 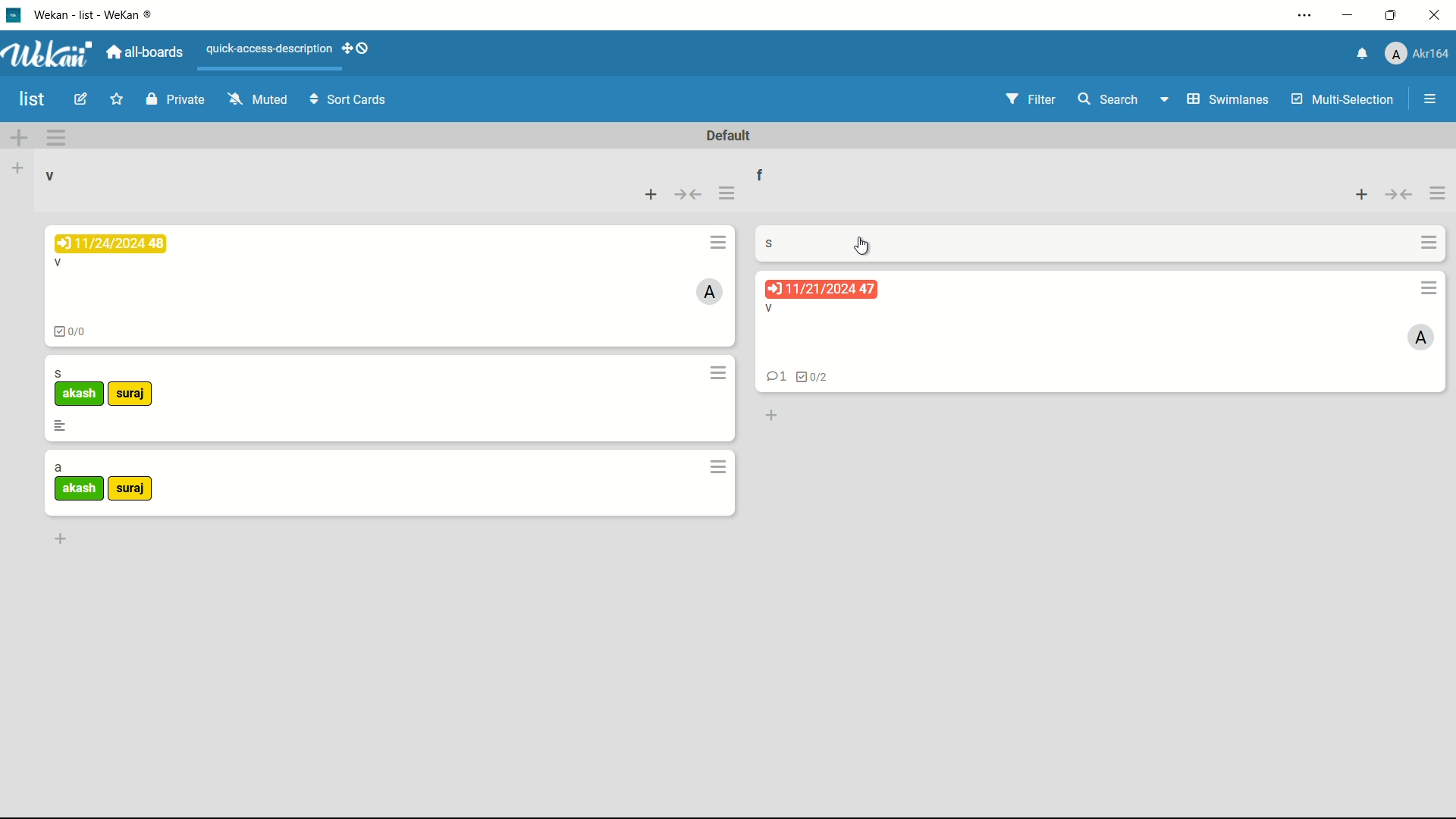 What do you see at coordinates (726, 194) in the screenshot?
I see `list actions` at bounding box center [726, 194].